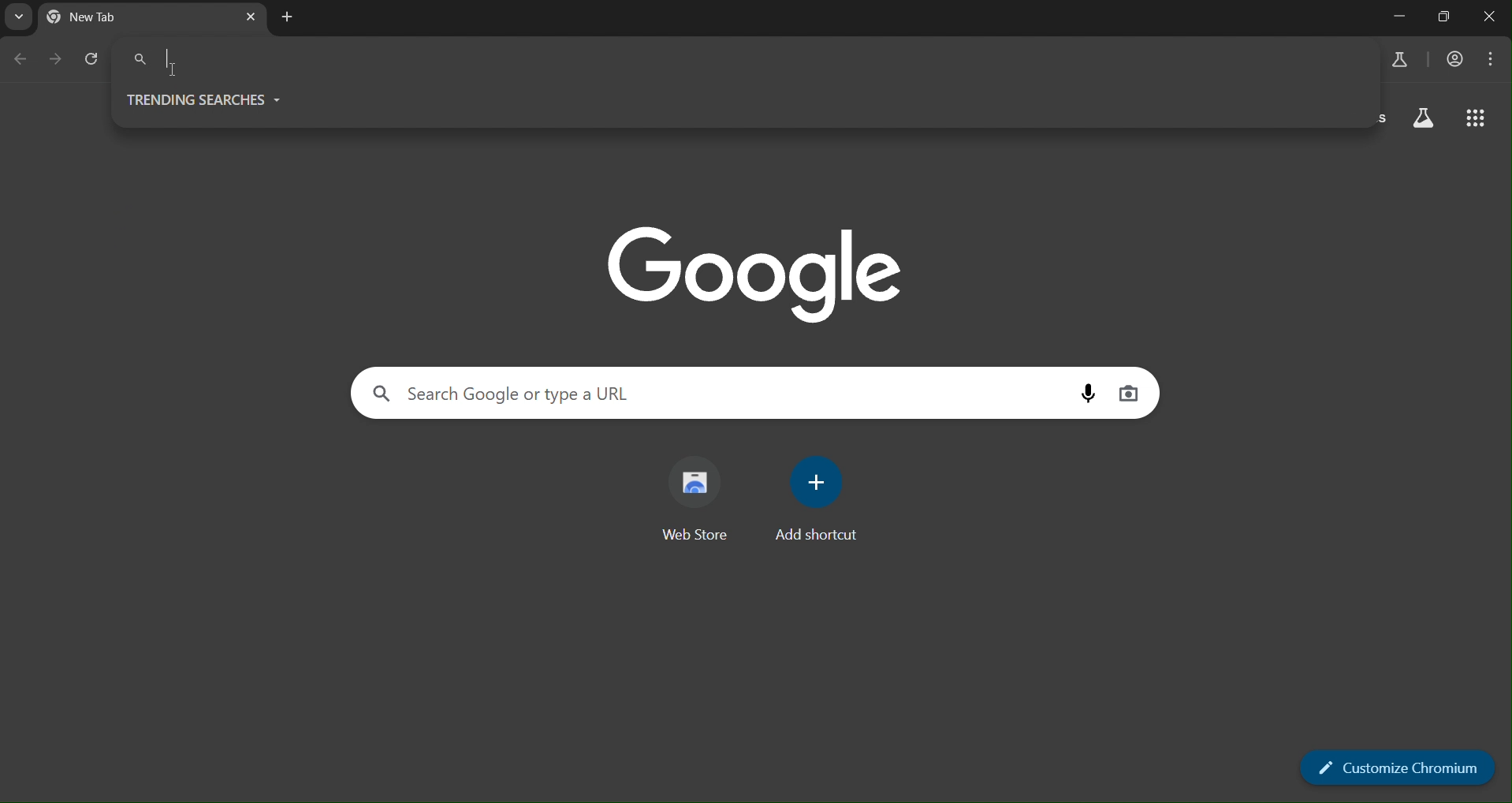 The height and width of the screenshot is (803, 1512). Describe the element at coordinates (1493, 58) in the screenshot. I see `menu` at that location.